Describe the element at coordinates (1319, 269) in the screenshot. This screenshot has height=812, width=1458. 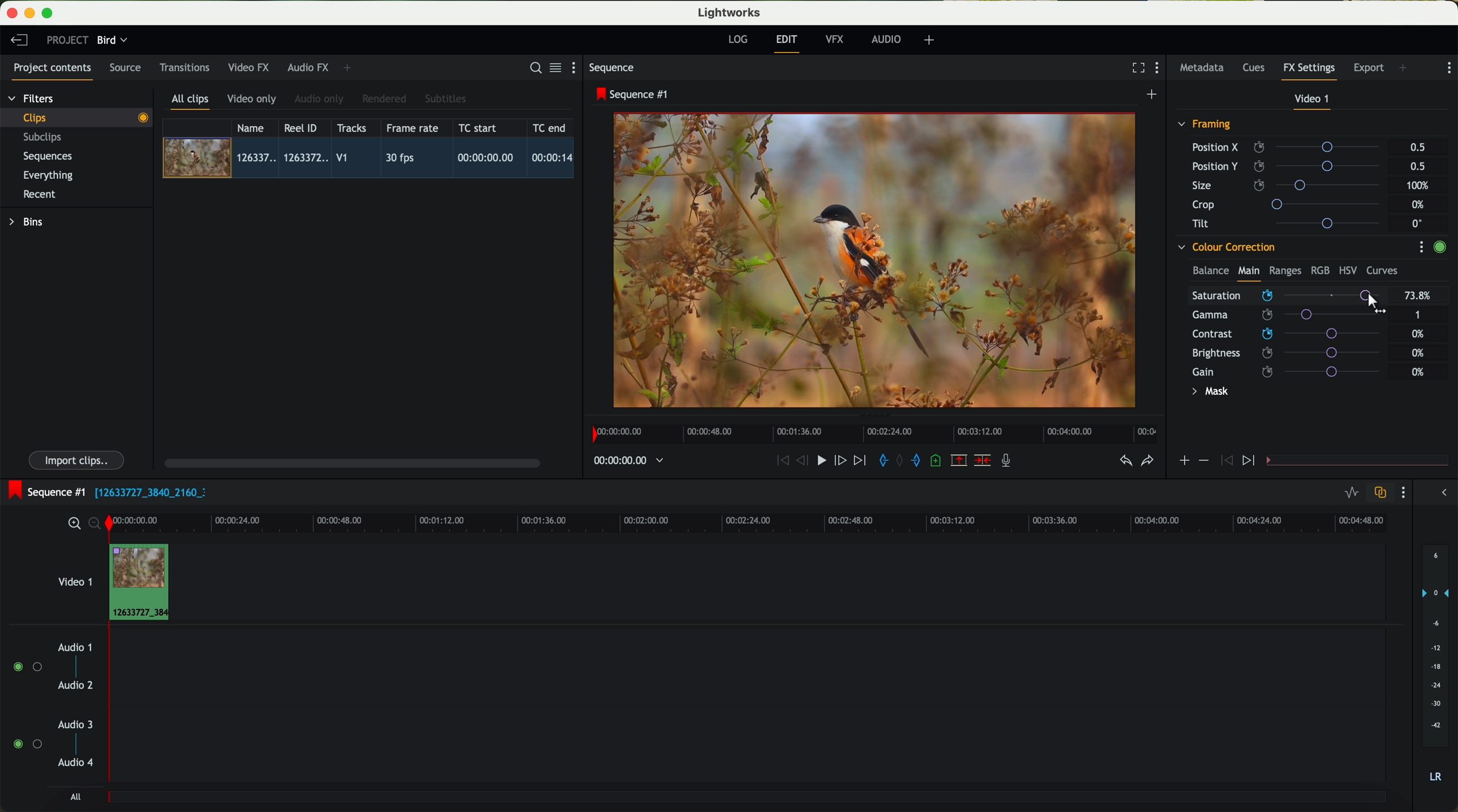
I see `RGB` at that location.